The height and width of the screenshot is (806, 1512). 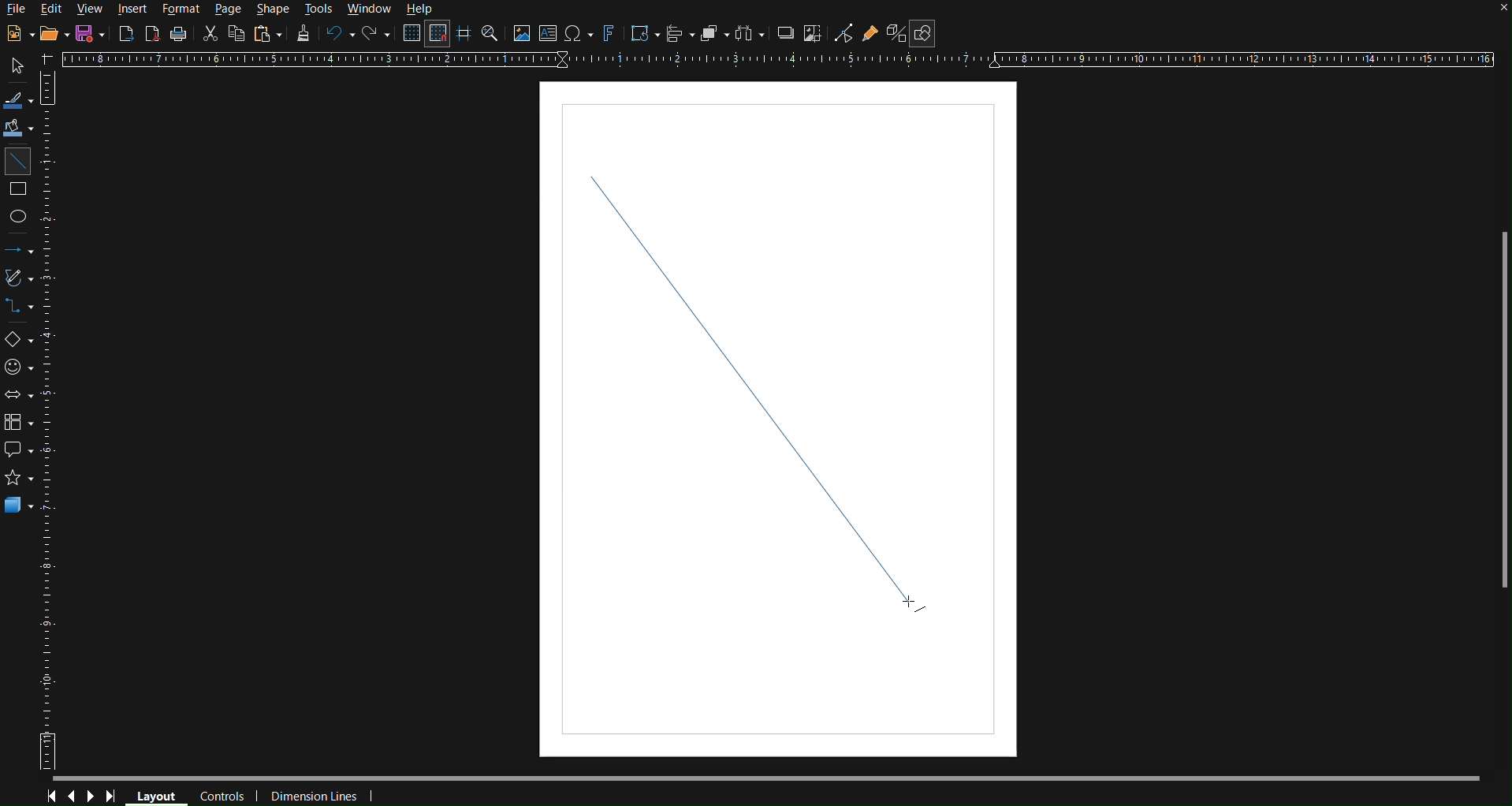 What do you see at coordinates (1502, 411) in the screenshot?
I see `Scrollbar` at bounding box center [1502, 411].